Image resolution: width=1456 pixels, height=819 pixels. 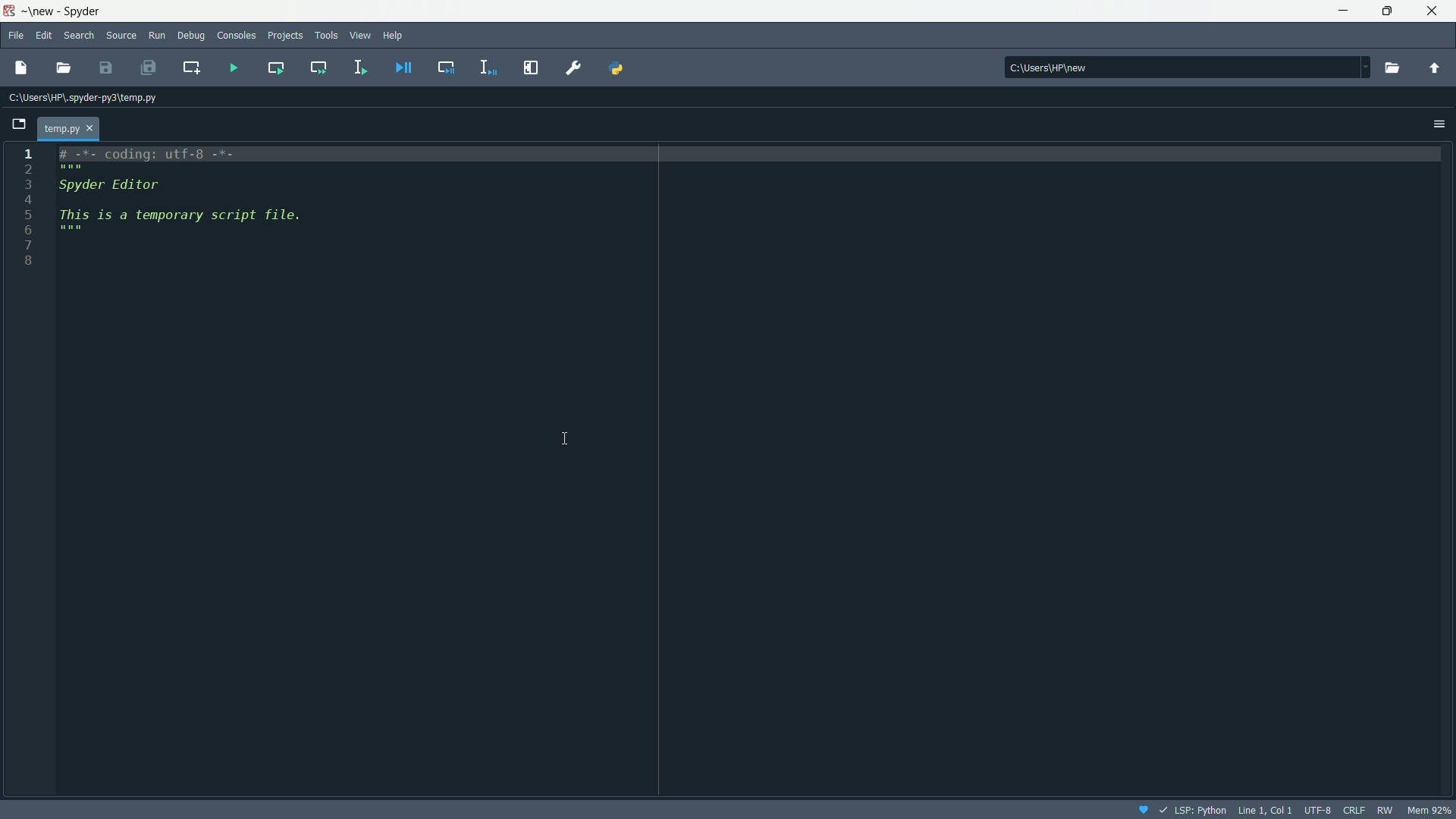 I want to click on Projects, so click(x=285, y=34).